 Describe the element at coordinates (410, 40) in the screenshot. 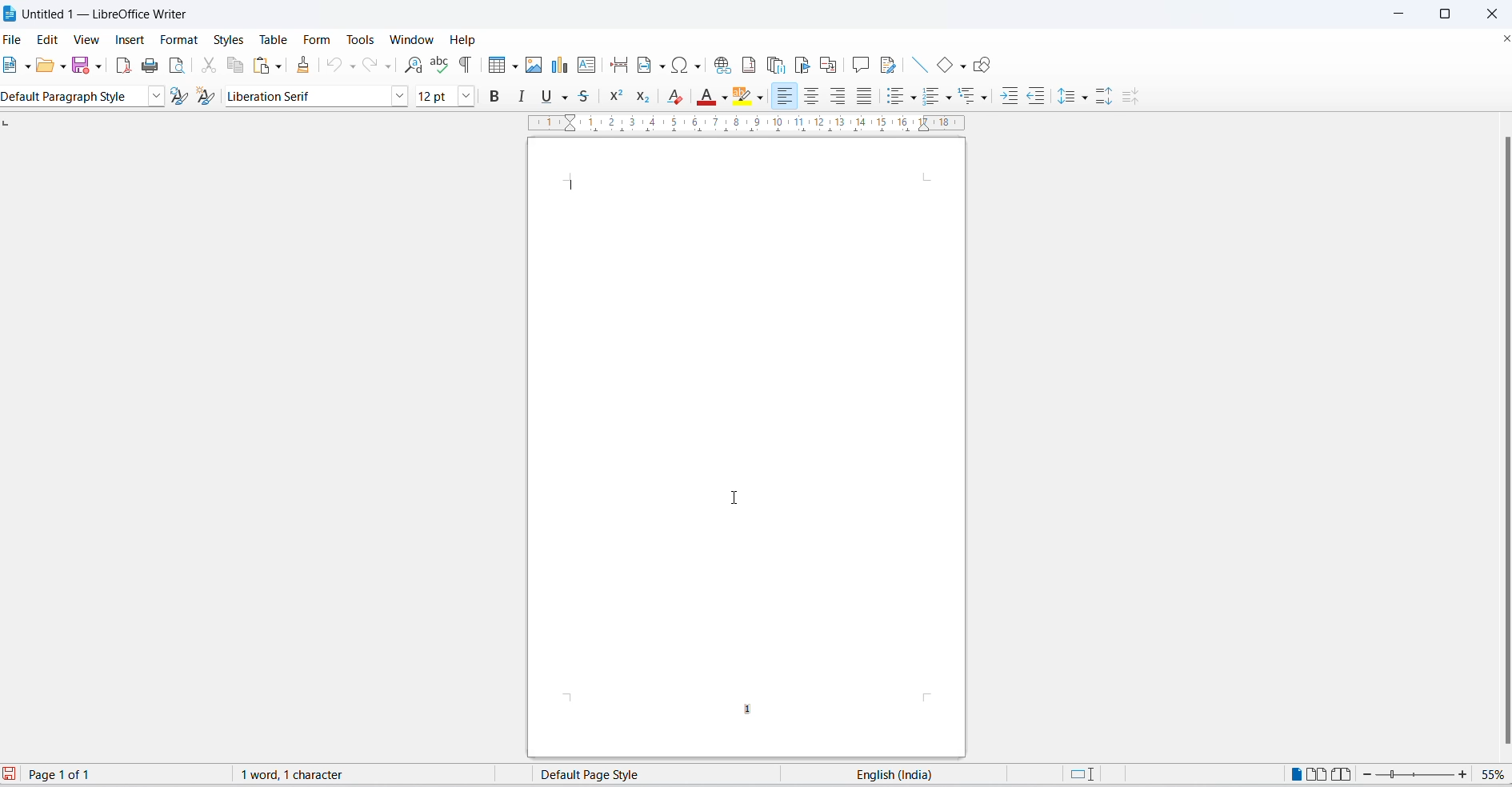

I see `window` at that location.